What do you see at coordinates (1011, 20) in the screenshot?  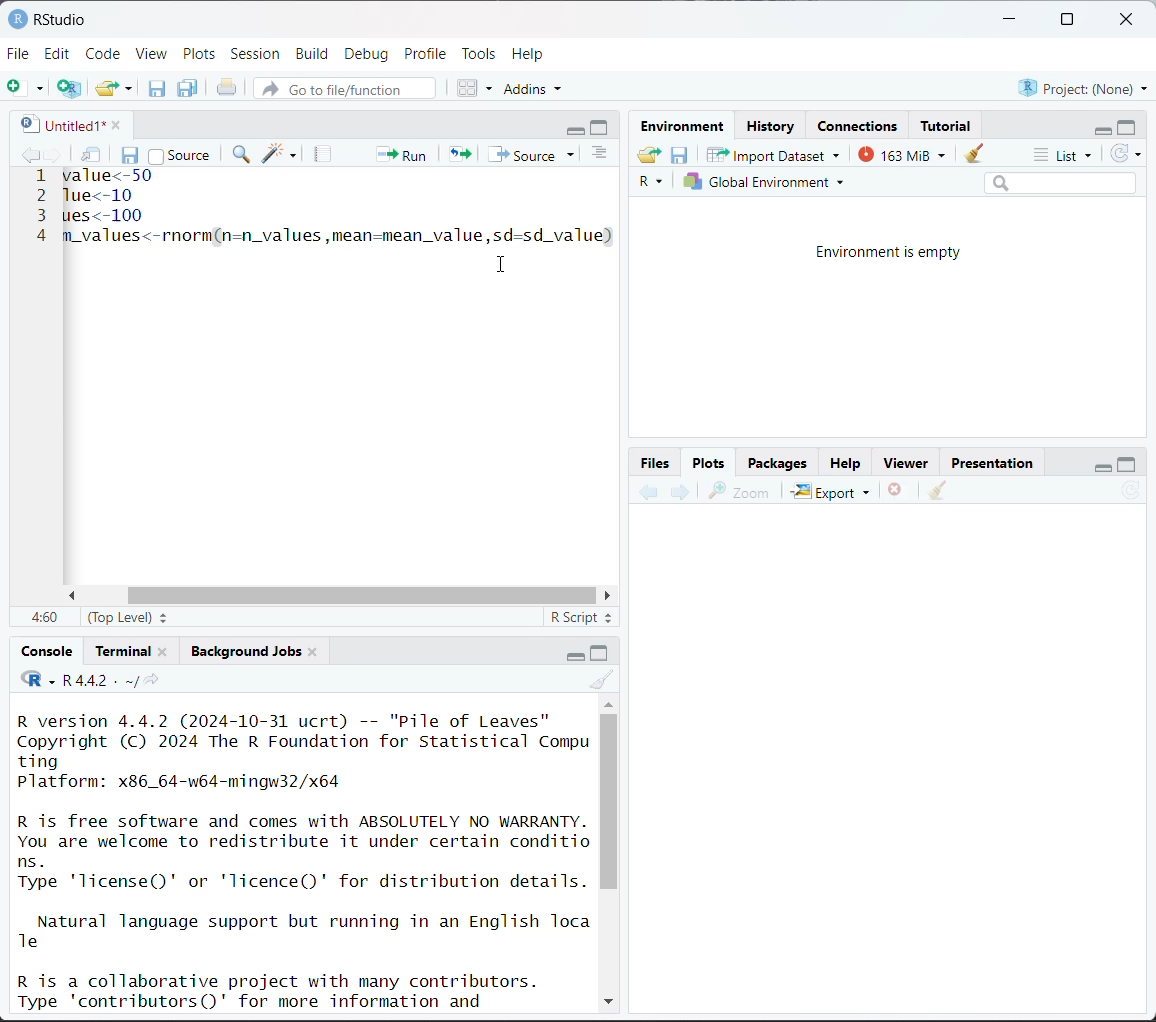 I see `minimize` at bounding box center [1011, 20].